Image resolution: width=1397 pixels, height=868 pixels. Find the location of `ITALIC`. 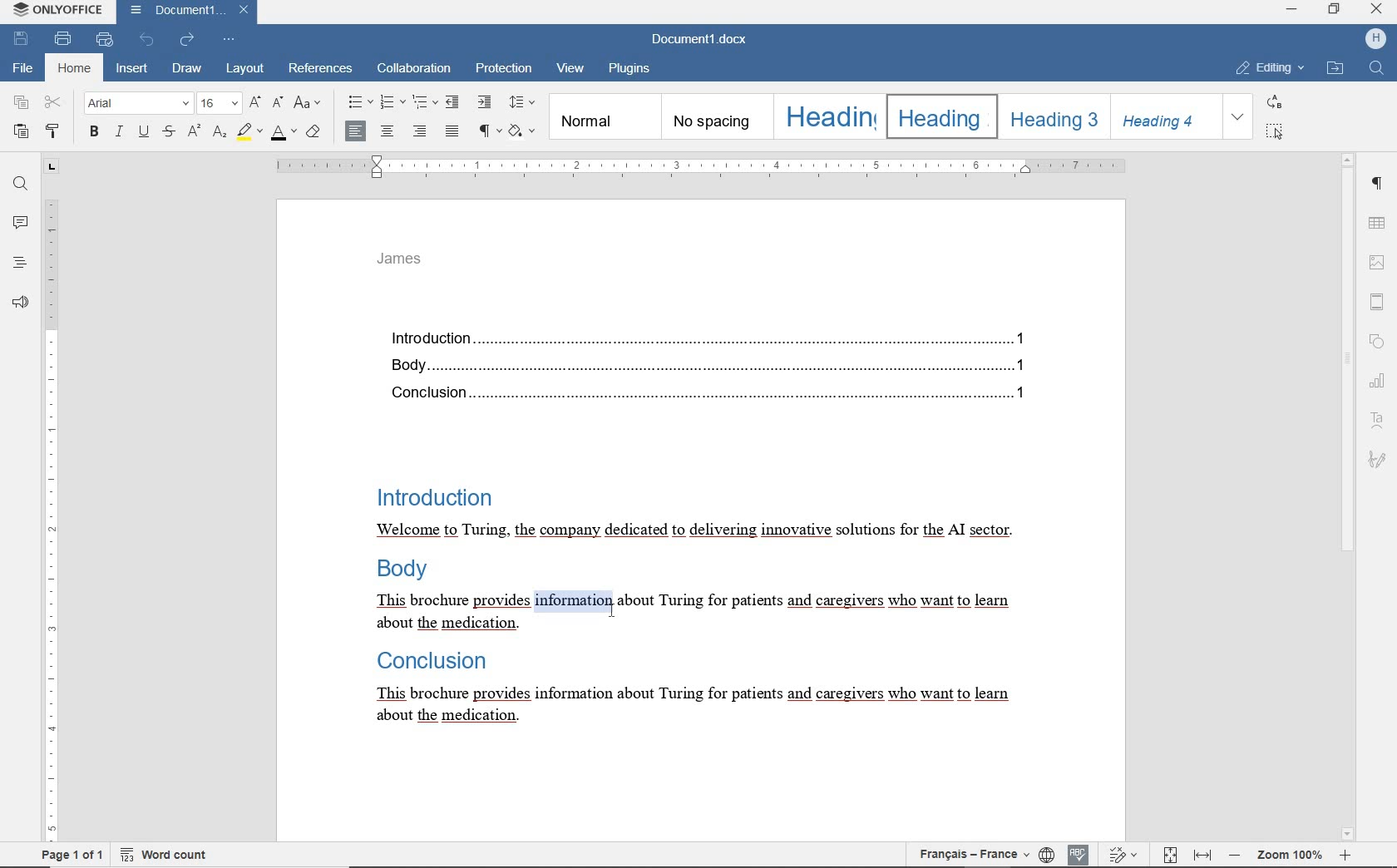

ITALIC is located at coordinates (119, 133).